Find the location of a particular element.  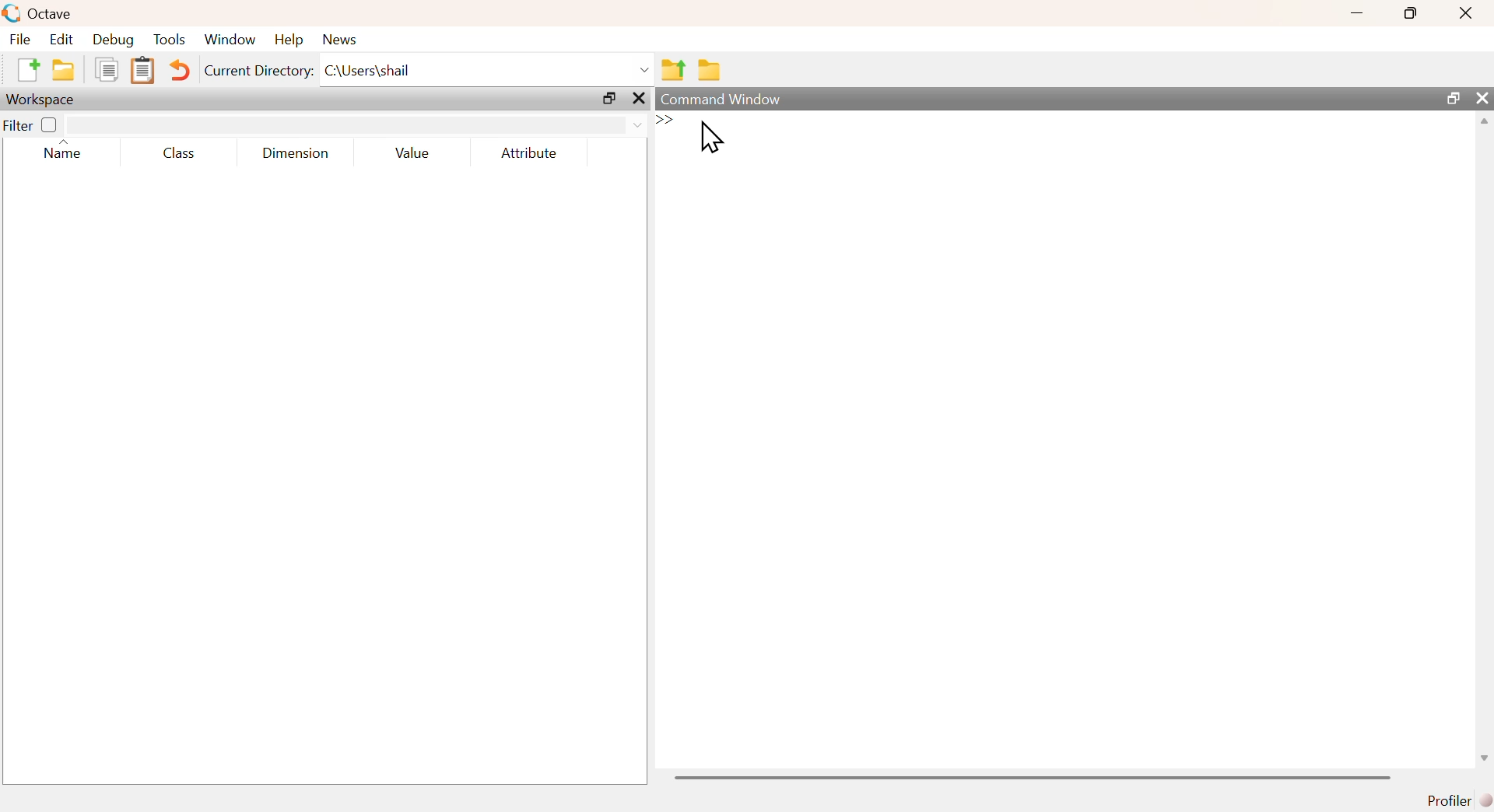

command window is located at coordinates (721, 96).